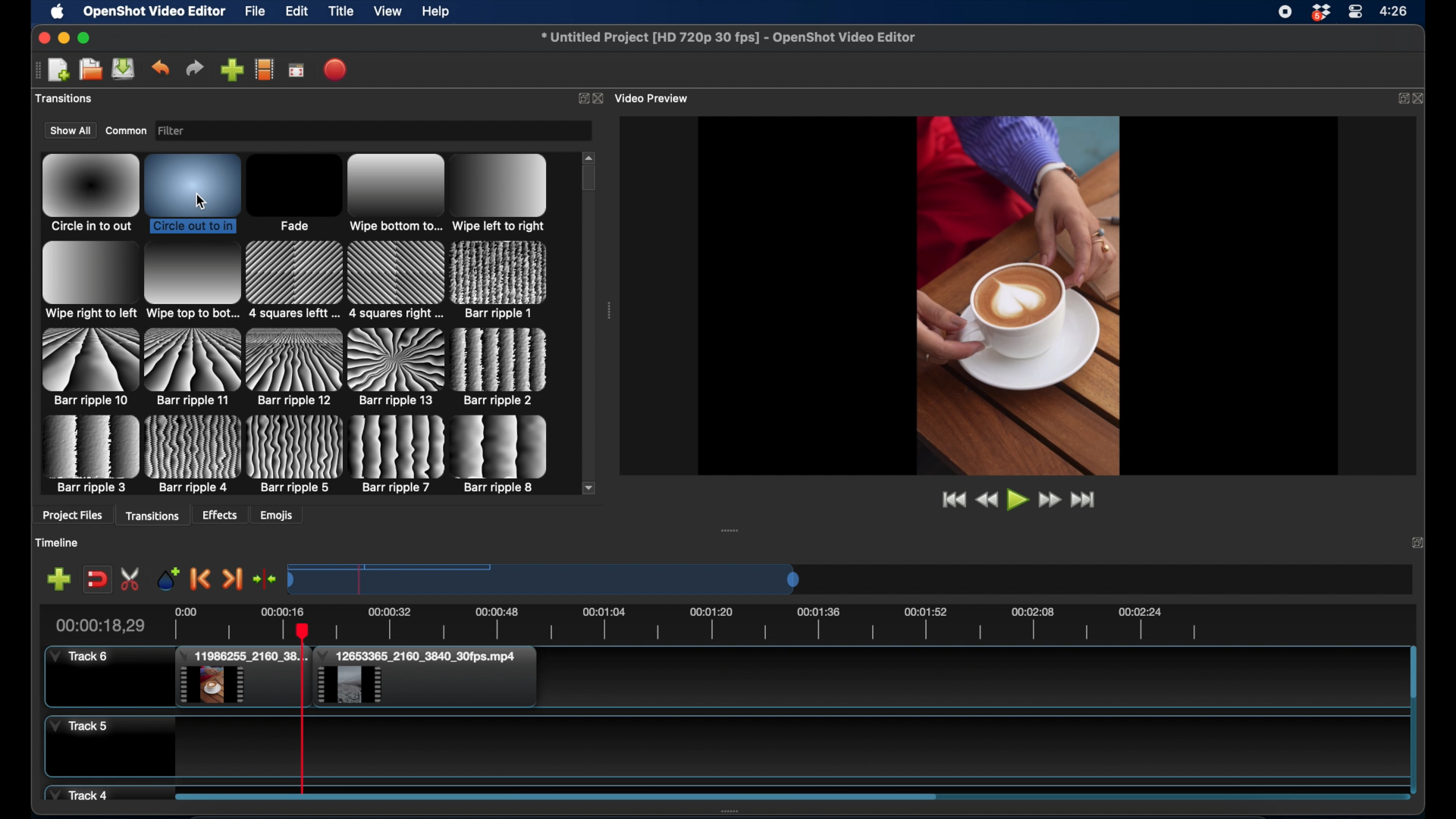  What do you see at coordinates (398, 454) in the screenshot?
I see `transition` at bounding box center [398, 454].